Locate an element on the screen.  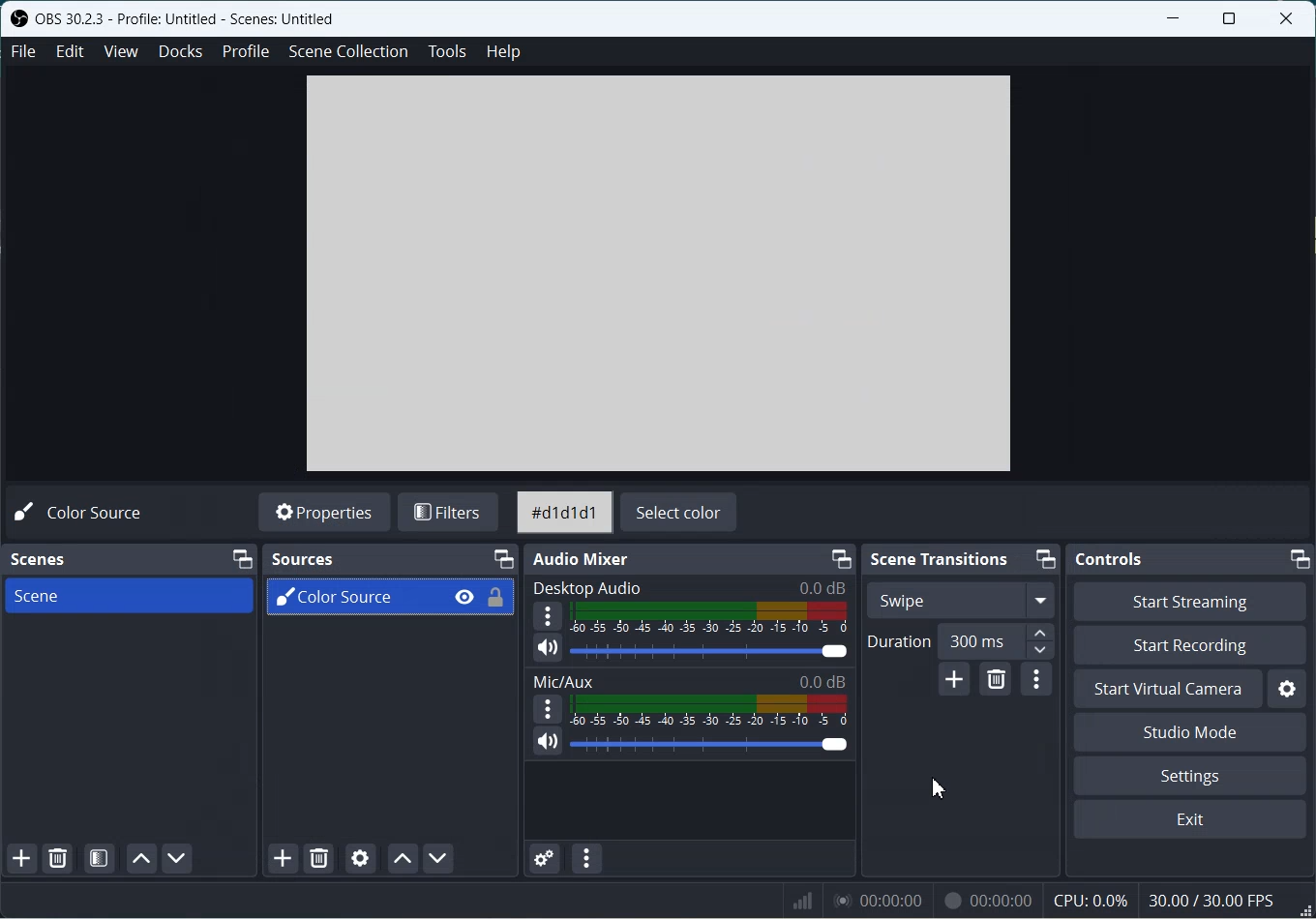
Volume Adjuster is located at coordinates (710, 653).